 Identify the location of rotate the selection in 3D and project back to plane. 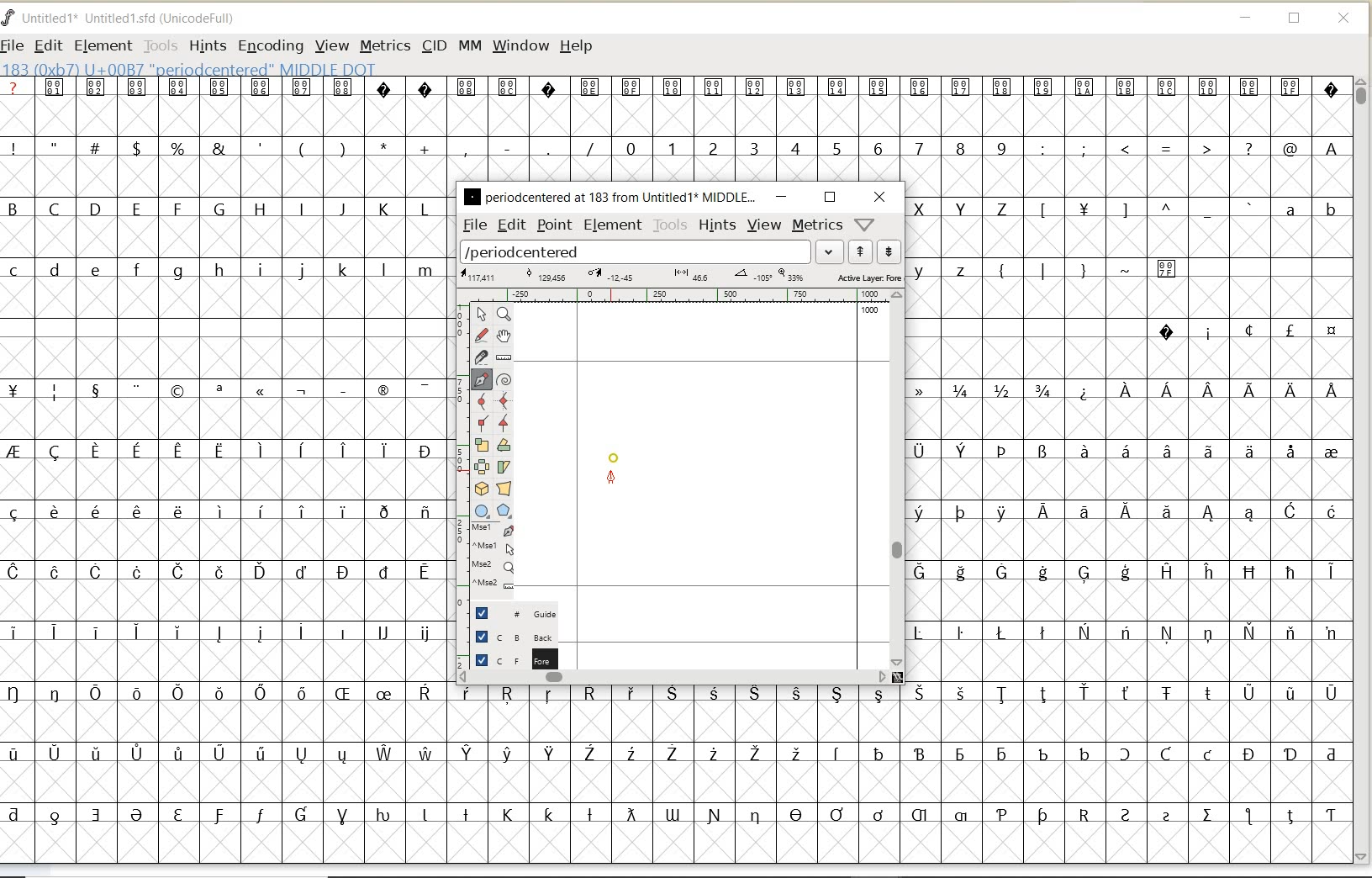
(481, 488).